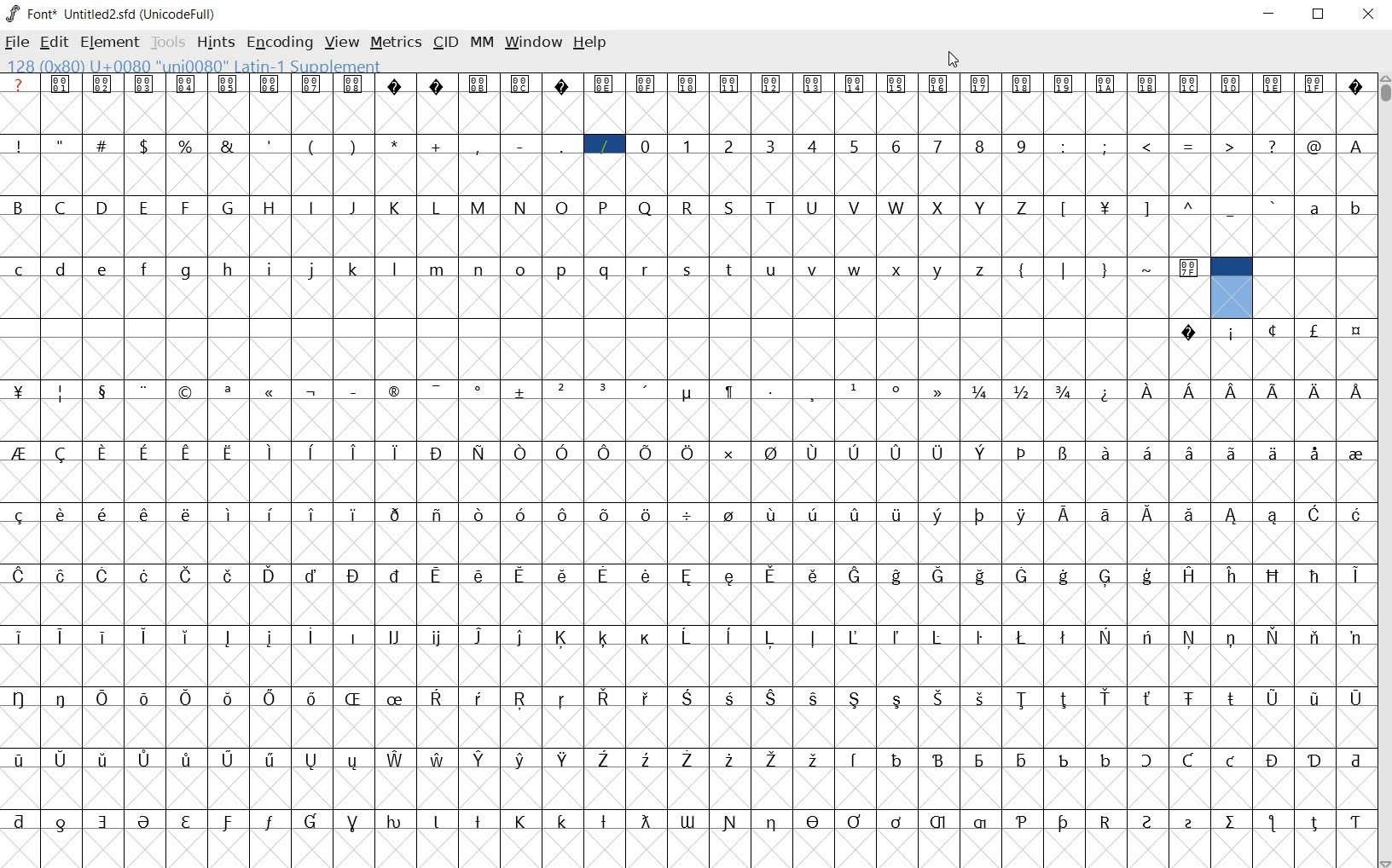  What do you see at coordinates (1314, 637) in the screenshot?
I see `Symbol` at bounding box center [1314, 637].